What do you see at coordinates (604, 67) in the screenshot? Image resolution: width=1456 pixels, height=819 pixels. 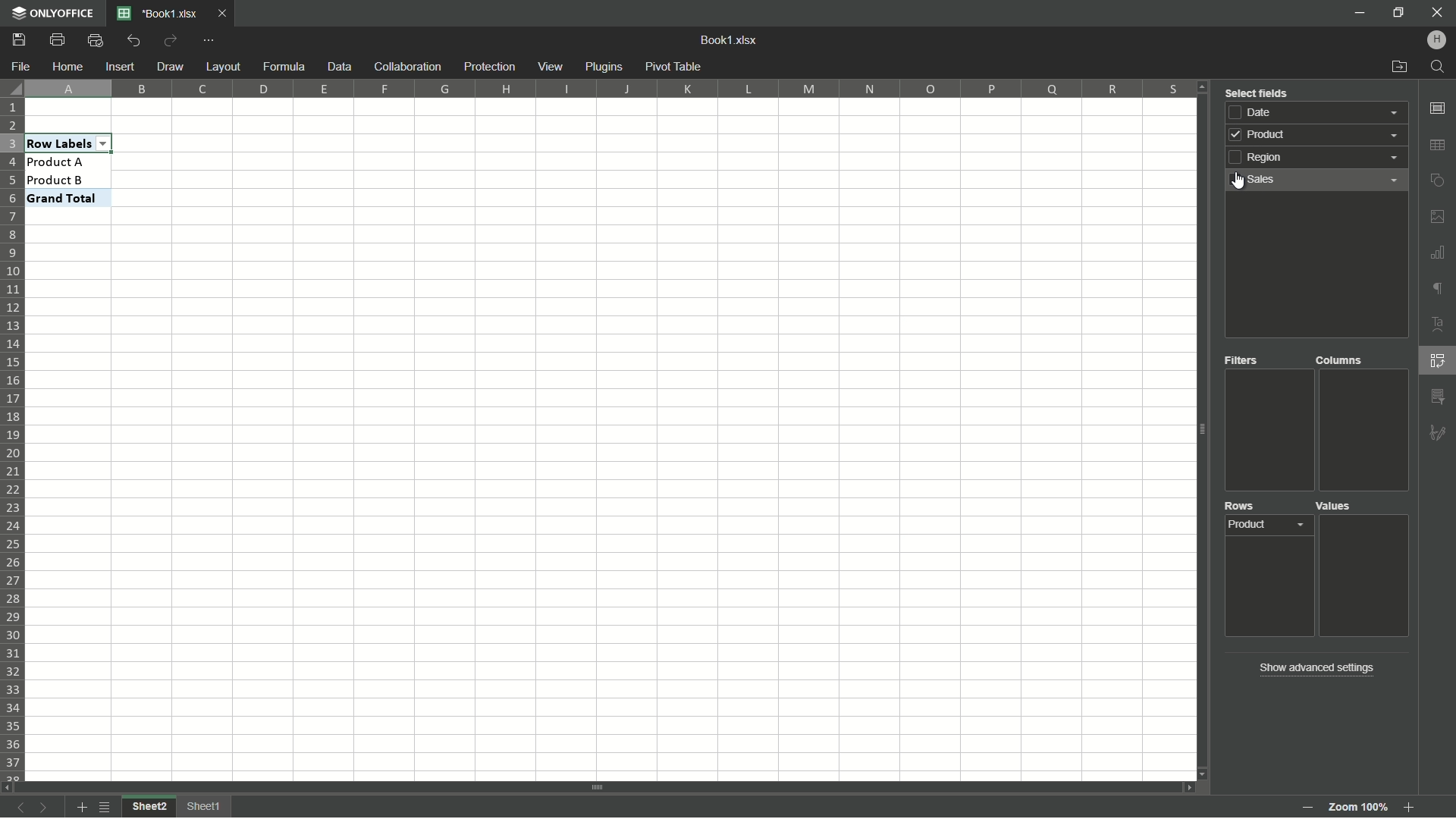 I see `plugins` at bounding box center [604, 67].